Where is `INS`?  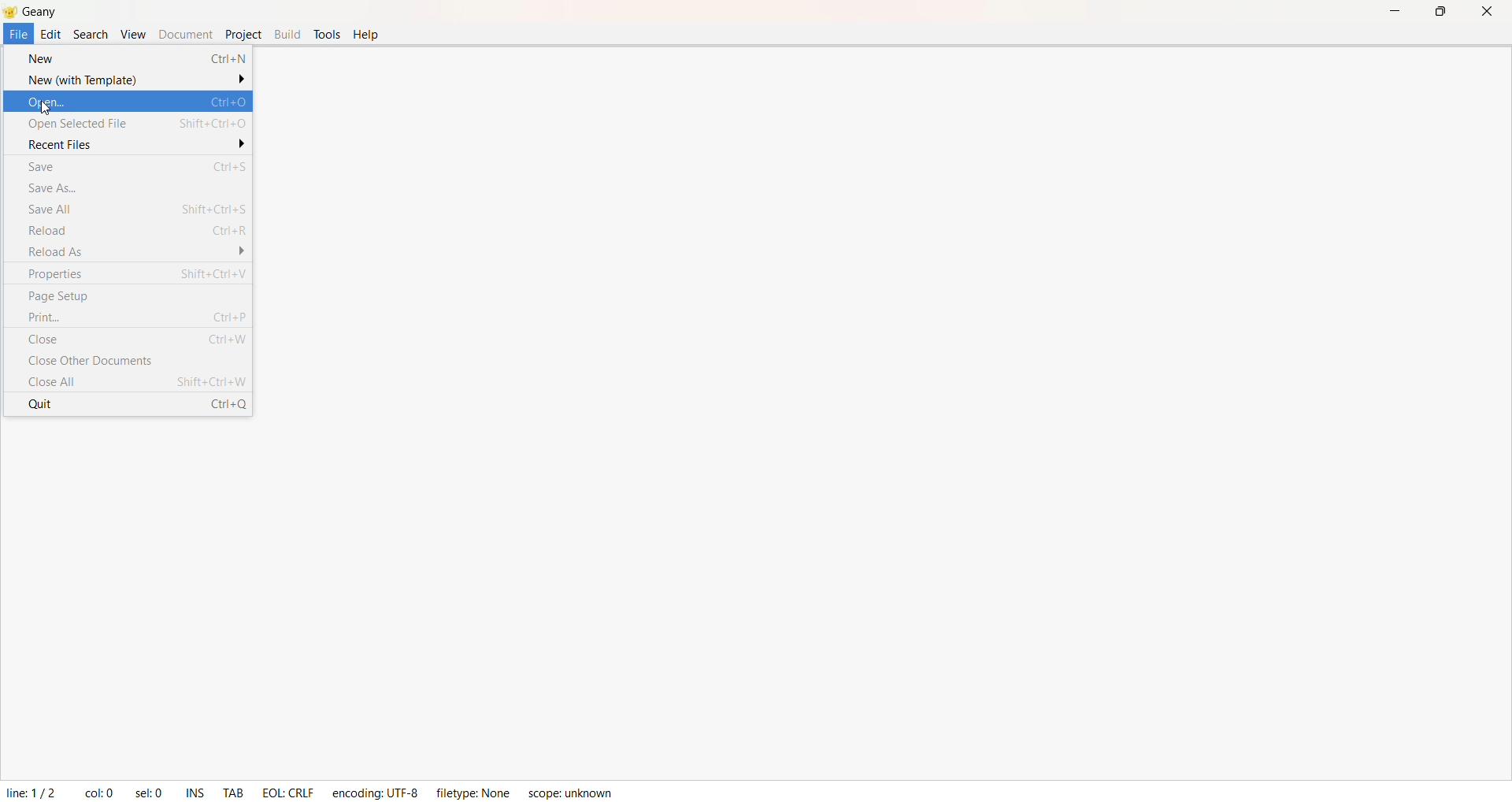
INS is located at coordinates (195, 793).